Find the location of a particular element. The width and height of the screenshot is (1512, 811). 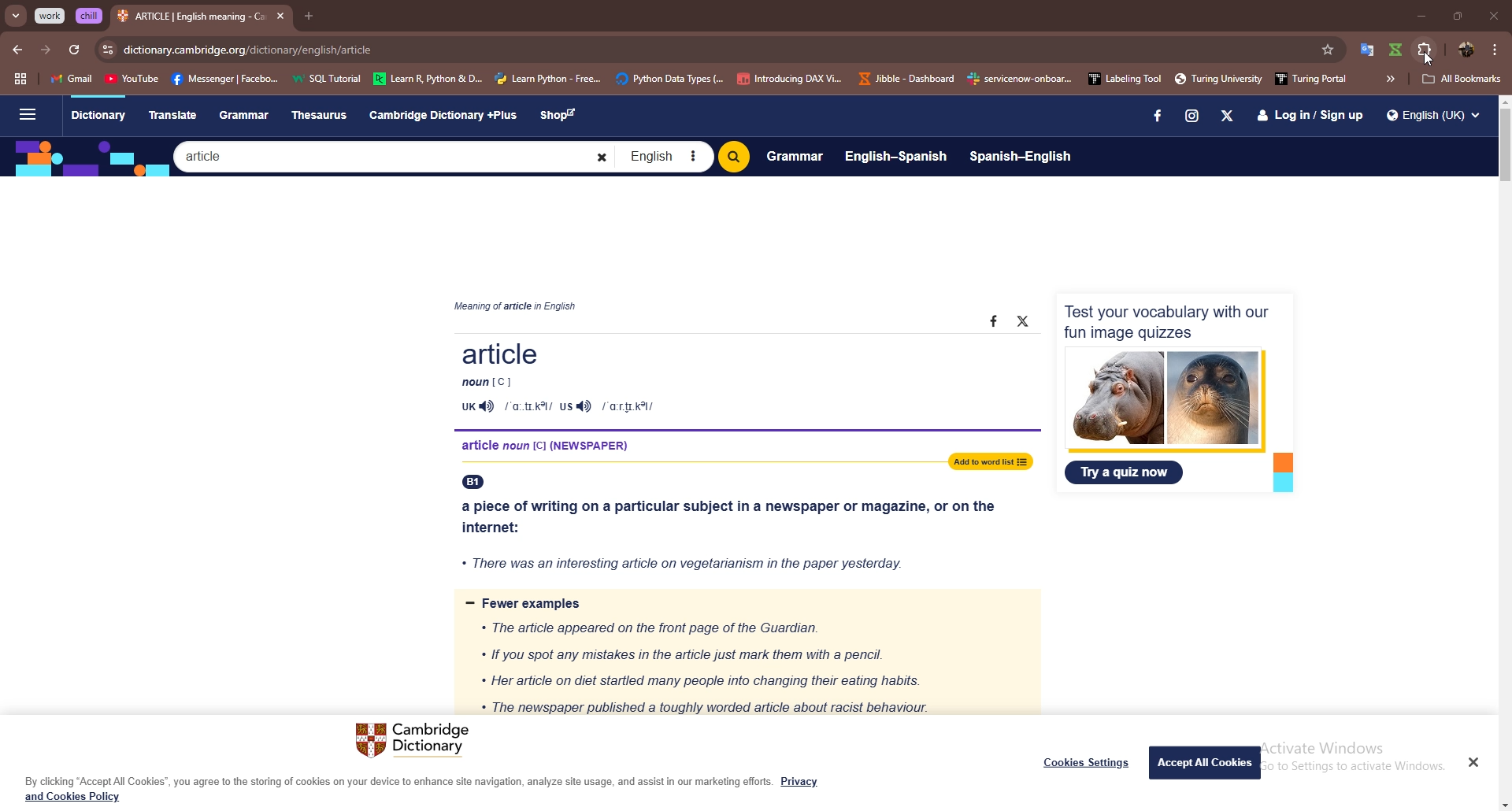

search bar is located at coordinates (720, 50).